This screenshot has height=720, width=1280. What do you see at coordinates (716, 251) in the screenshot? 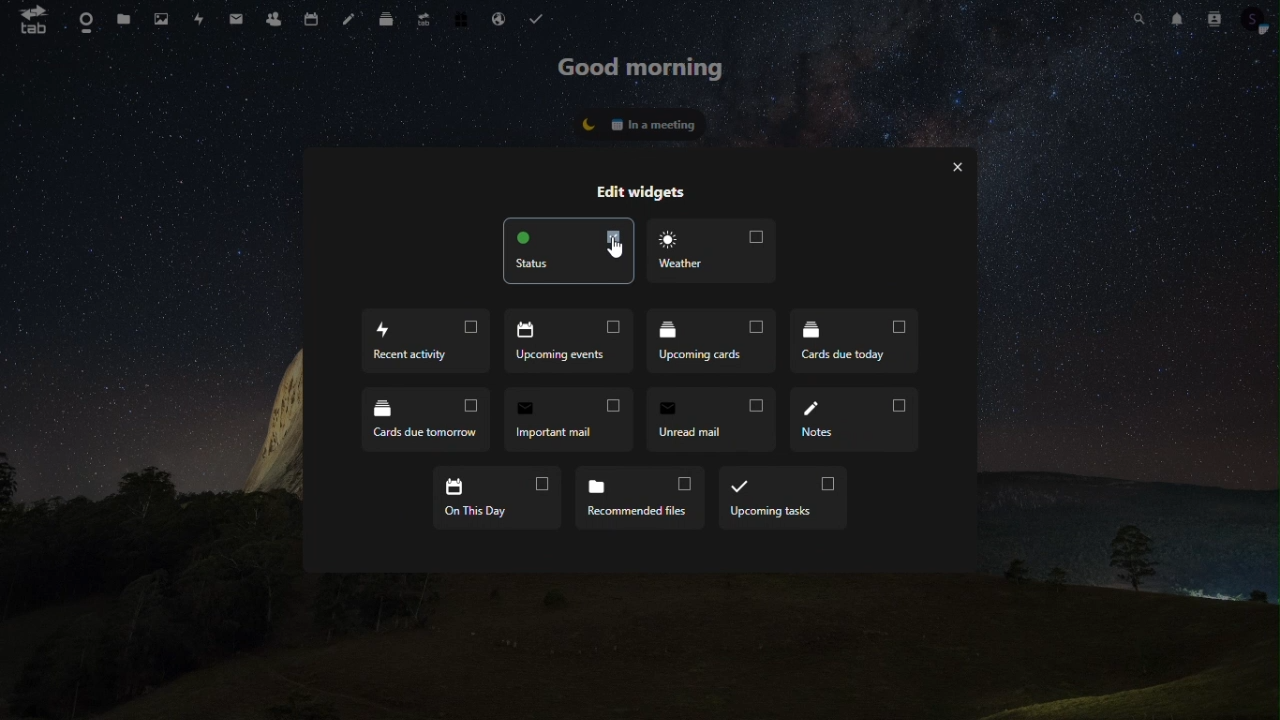
I see `weather` at bounding box center [716, 251].